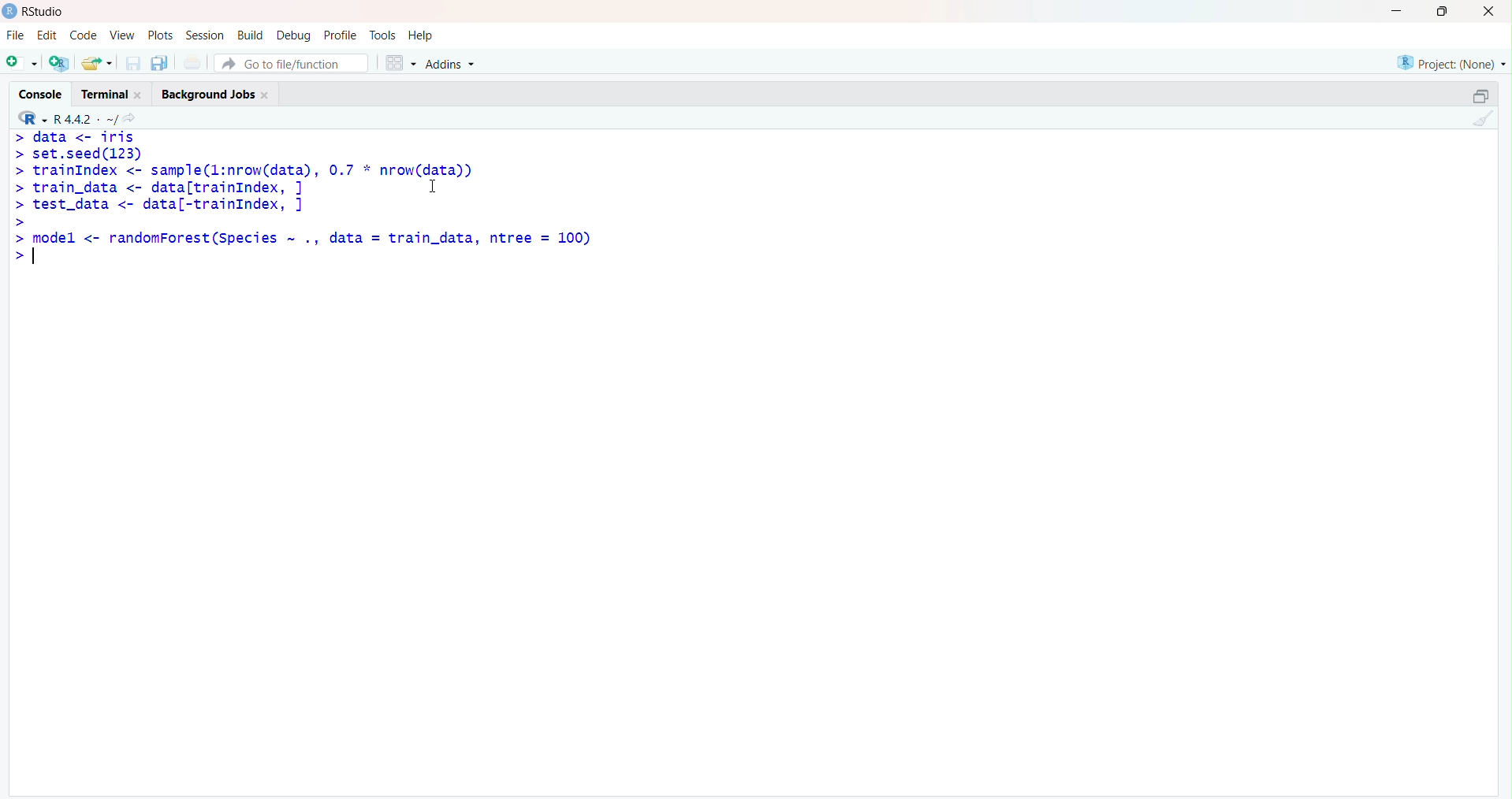 This screenshot has width=1512, height=799. Describe the element at coordinates (15, 238) in the screenshot. I see `Prompt cursor` at that location.